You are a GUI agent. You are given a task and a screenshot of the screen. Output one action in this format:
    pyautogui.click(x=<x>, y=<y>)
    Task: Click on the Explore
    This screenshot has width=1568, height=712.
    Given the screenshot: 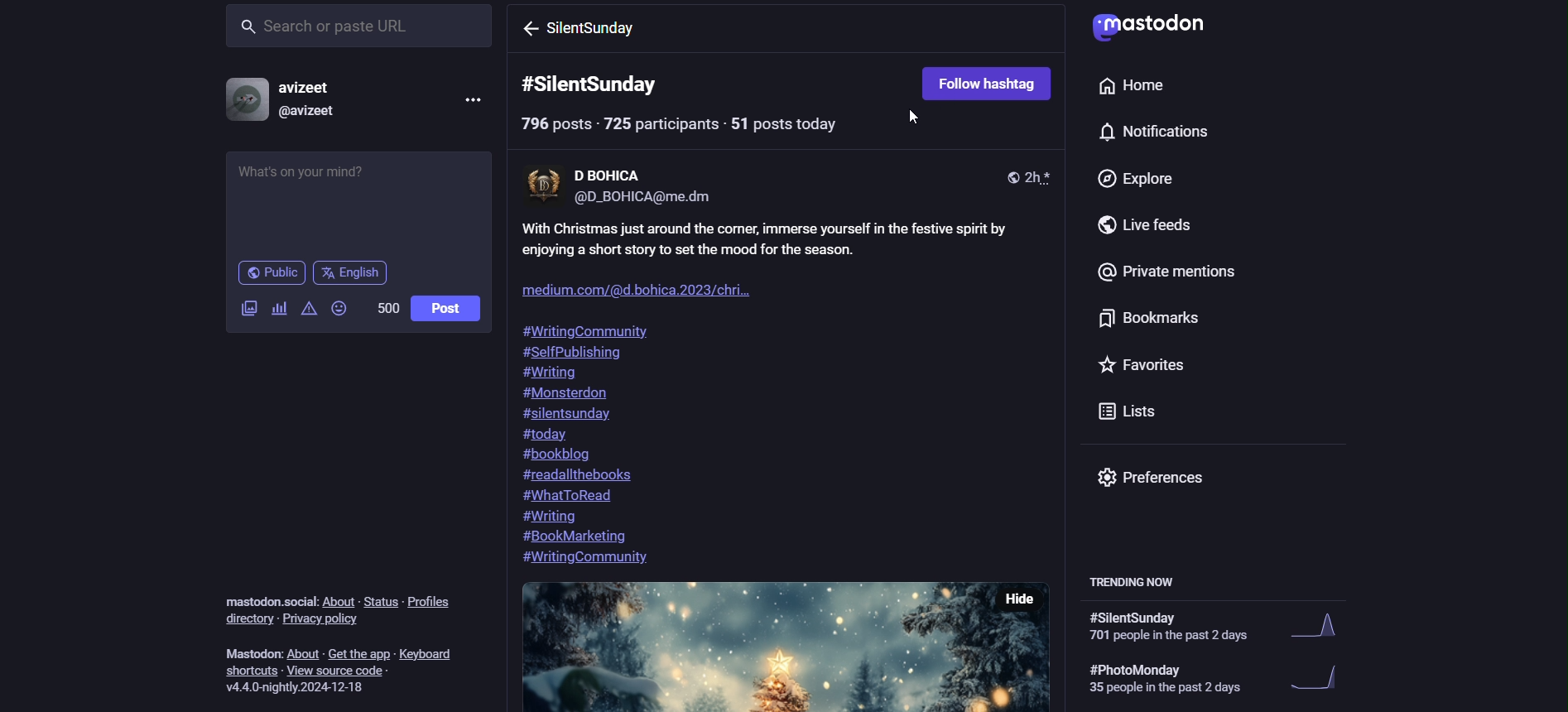 What is the action you would take?
    pyautogui.click(x=1133, y=180)
    